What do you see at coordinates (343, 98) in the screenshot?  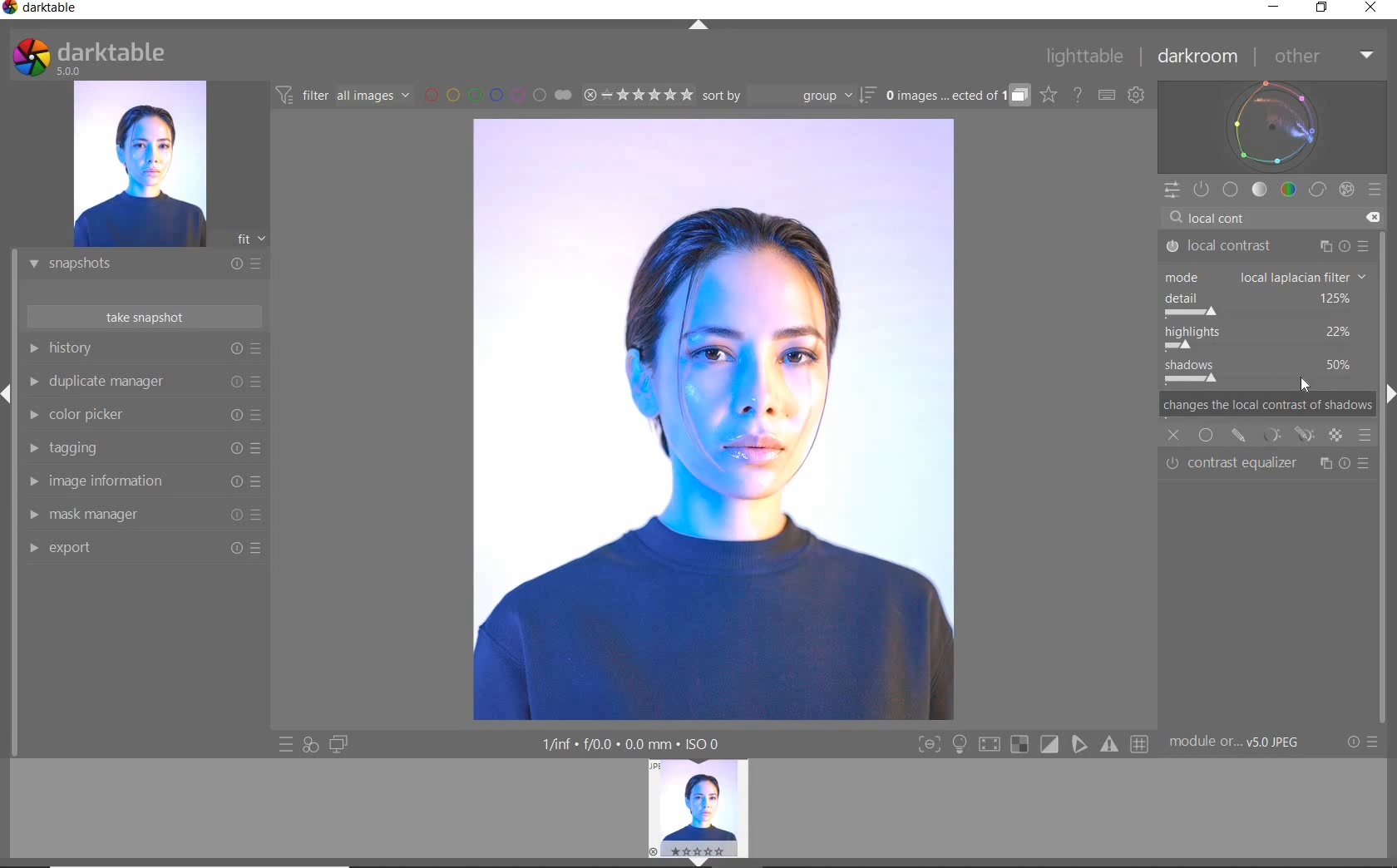 I see `FILTER IMAGES BASED ON THEIR MODULE ORDER` at bounding box center [343, 98].